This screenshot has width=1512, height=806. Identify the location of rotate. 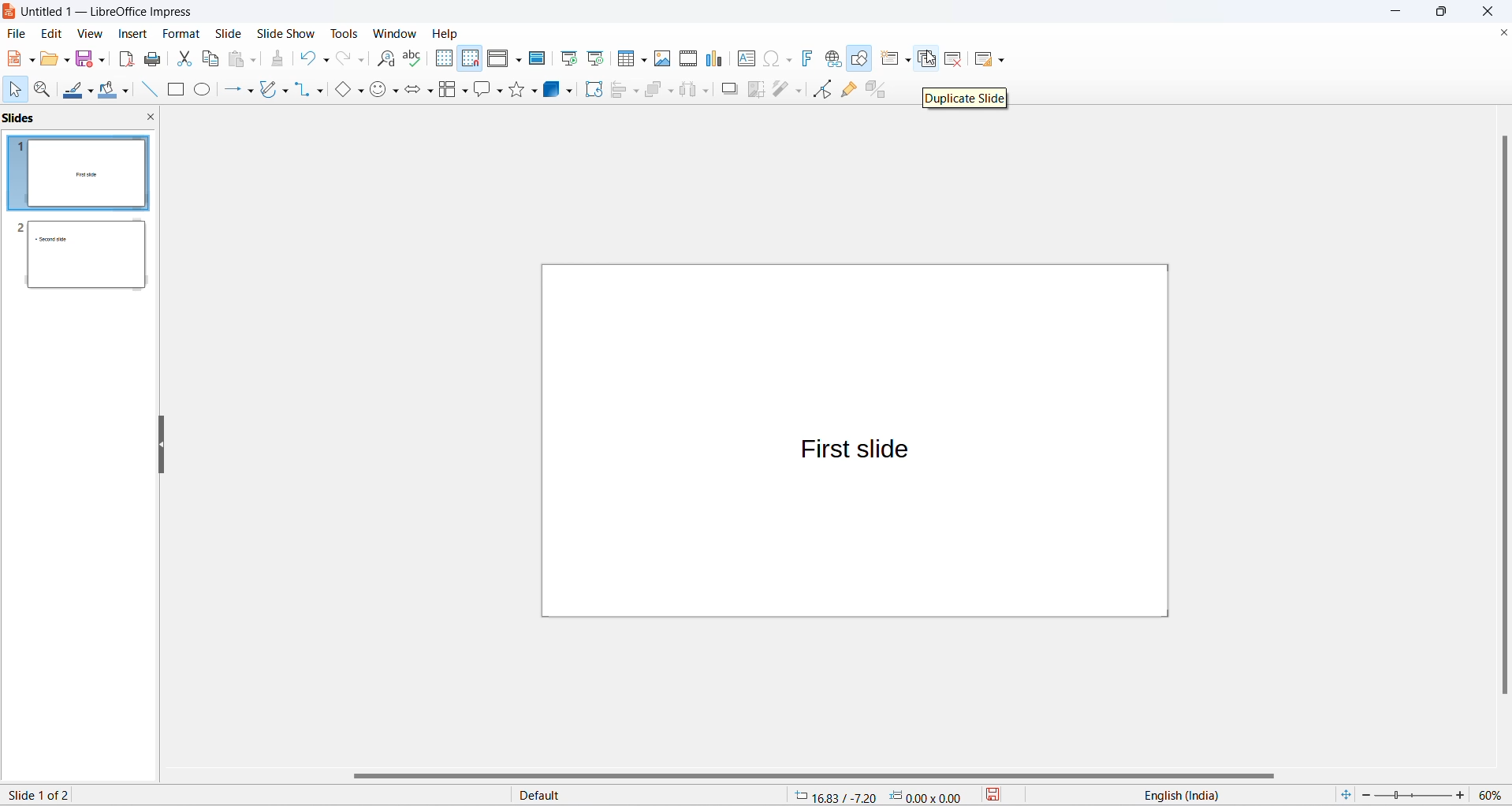
(595, 91).